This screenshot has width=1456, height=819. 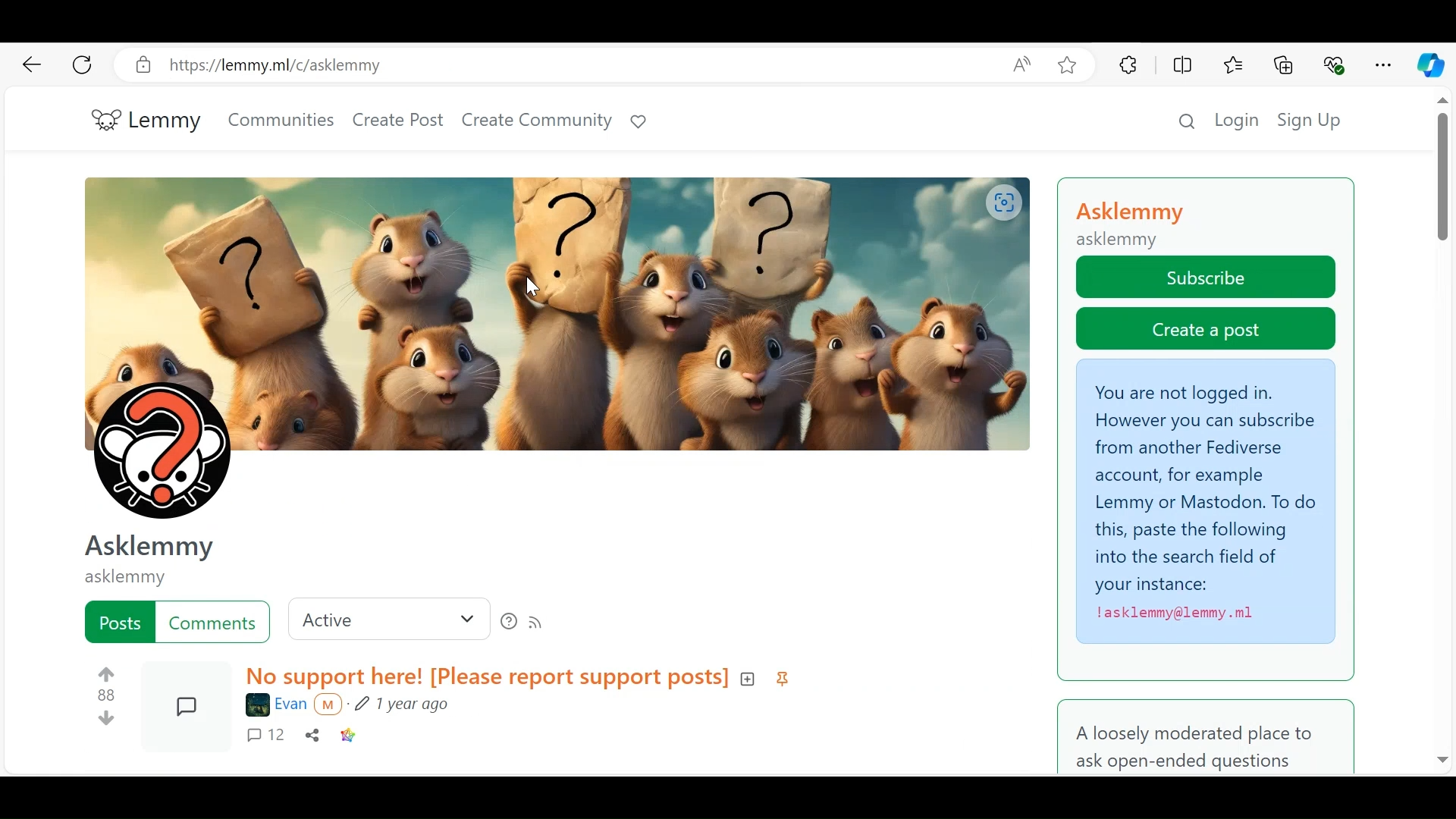 I want to click on Create Post, so click(x=398, y=122).